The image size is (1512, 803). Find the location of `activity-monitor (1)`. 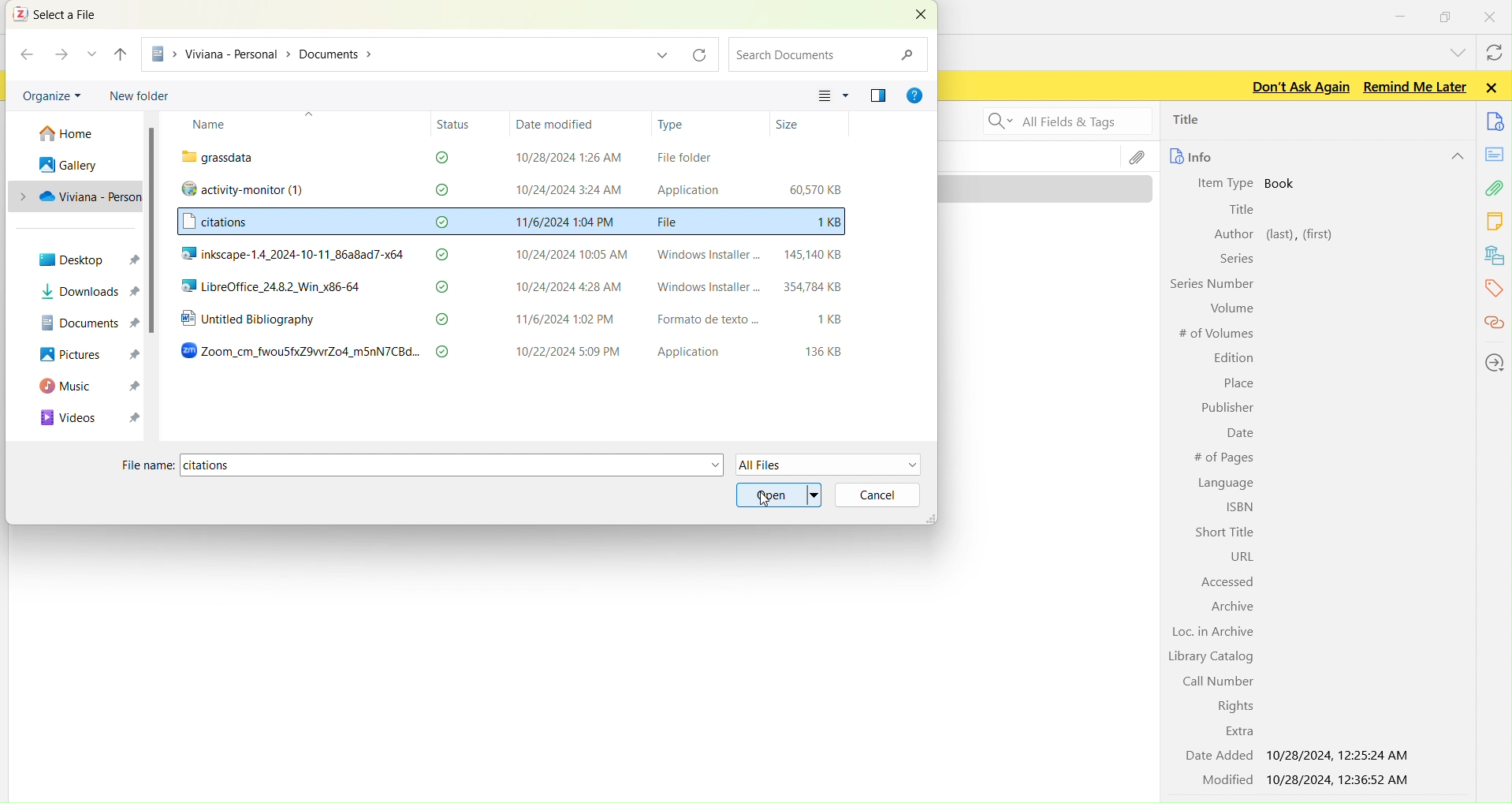

activity-monitor (1) is located at coordinates (252, 192).